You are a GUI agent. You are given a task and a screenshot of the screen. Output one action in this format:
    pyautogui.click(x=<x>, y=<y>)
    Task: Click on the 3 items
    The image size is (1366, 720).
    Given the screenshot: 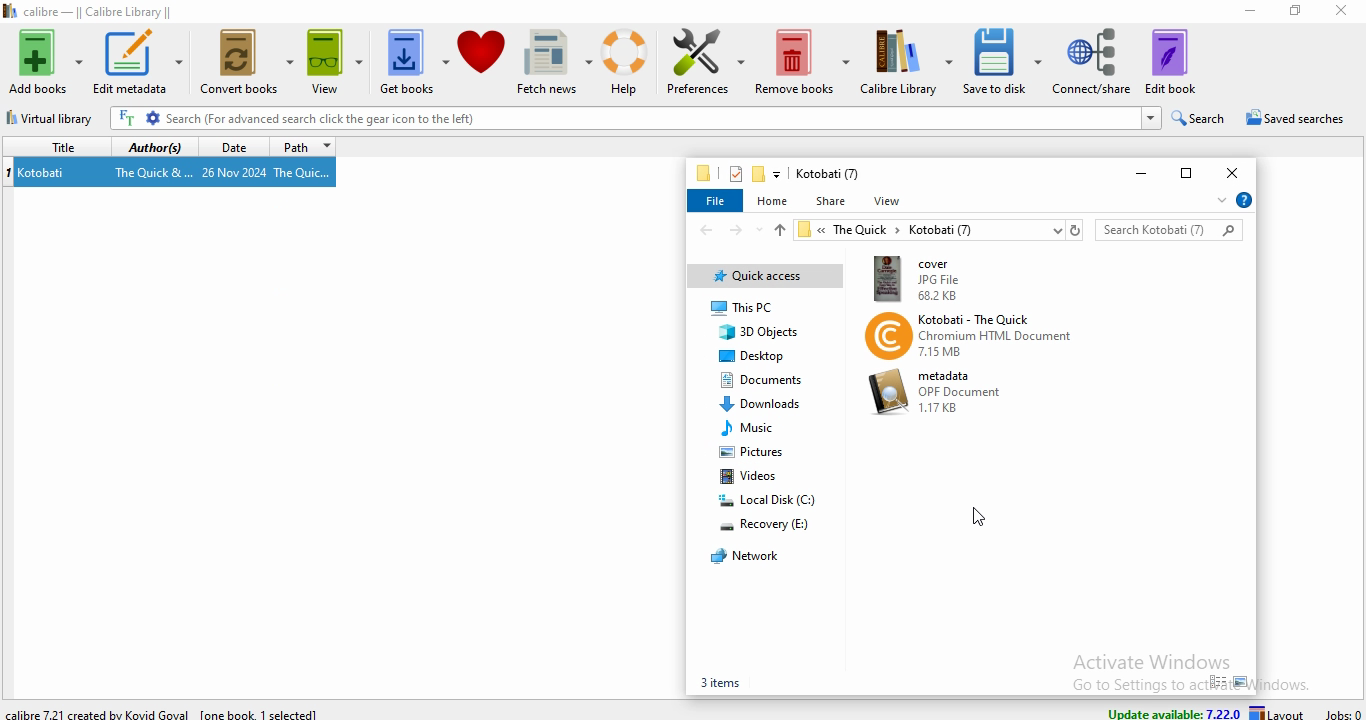 What is the action you would take?
    pyautogui.click(x=718, y=682)
    